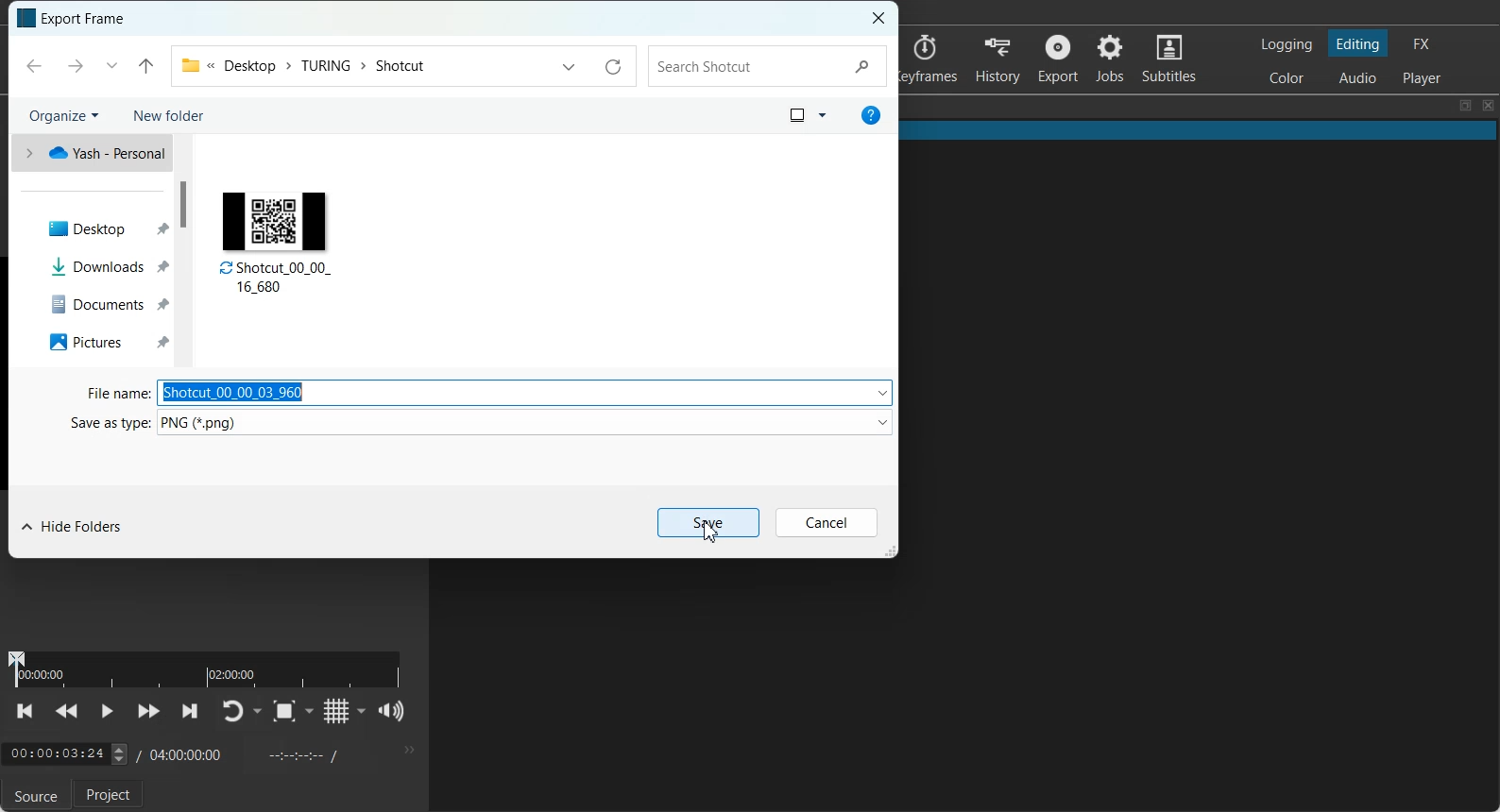 The width and height of the screenshot is (1500, 812). Describe the element at coordinates (524, 392) in the screenshot. I see `File Name` at that location.